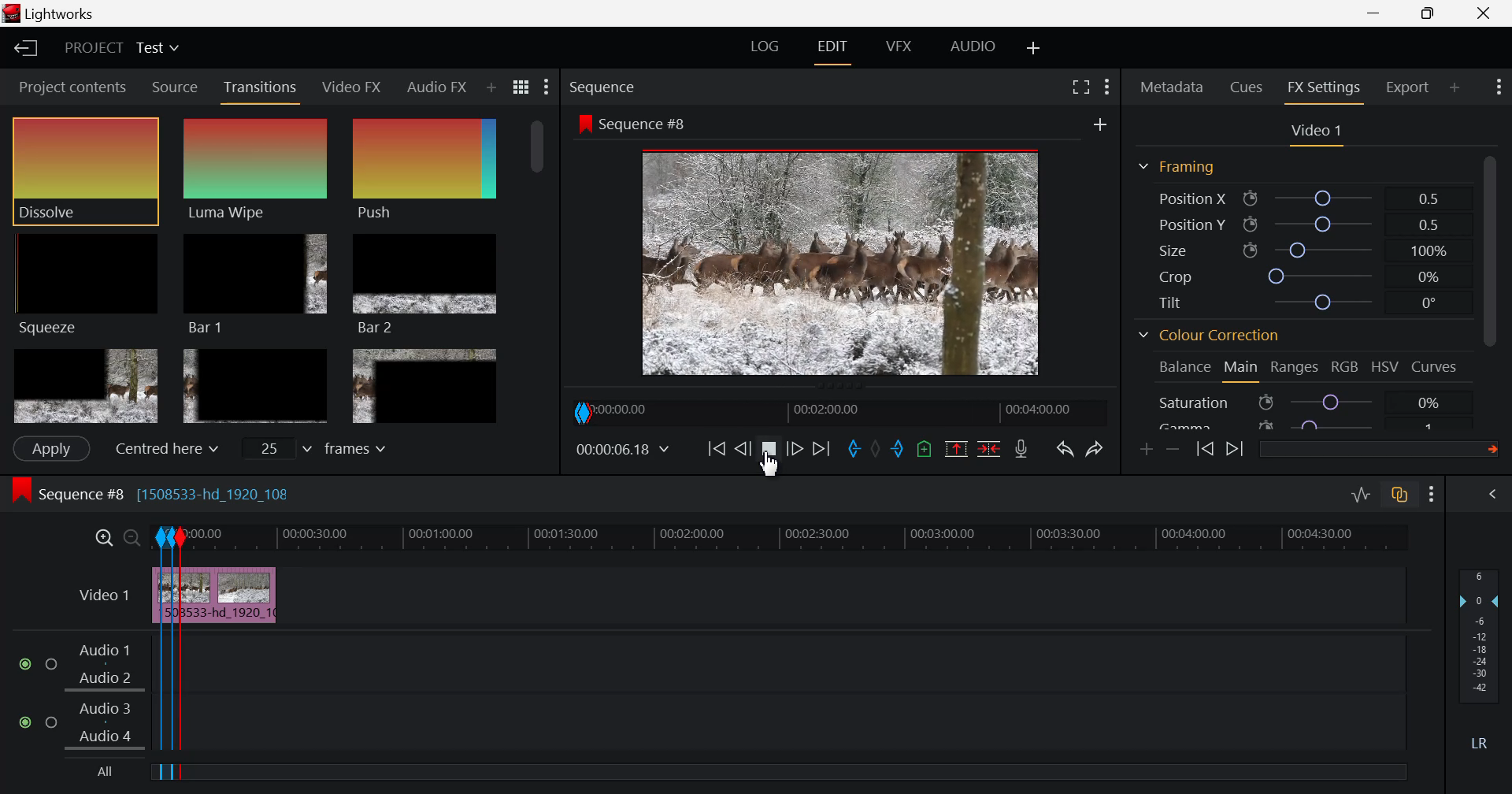 The height and width of the screenshot is (794, 1512). I want to click on Position Y, so click(1304, 224).